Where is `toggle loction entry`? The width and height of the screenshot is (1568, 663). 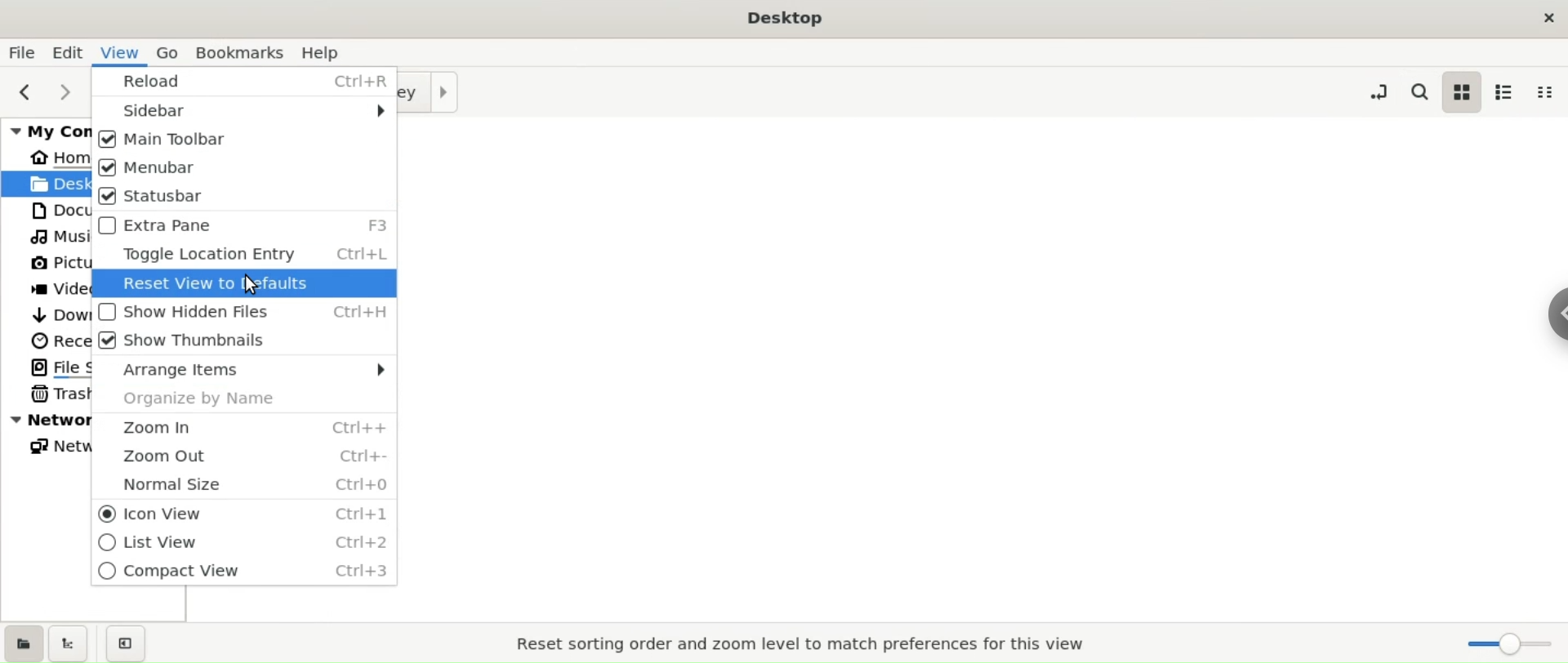
toggle loction entry is located at coordinates (1379, 90).